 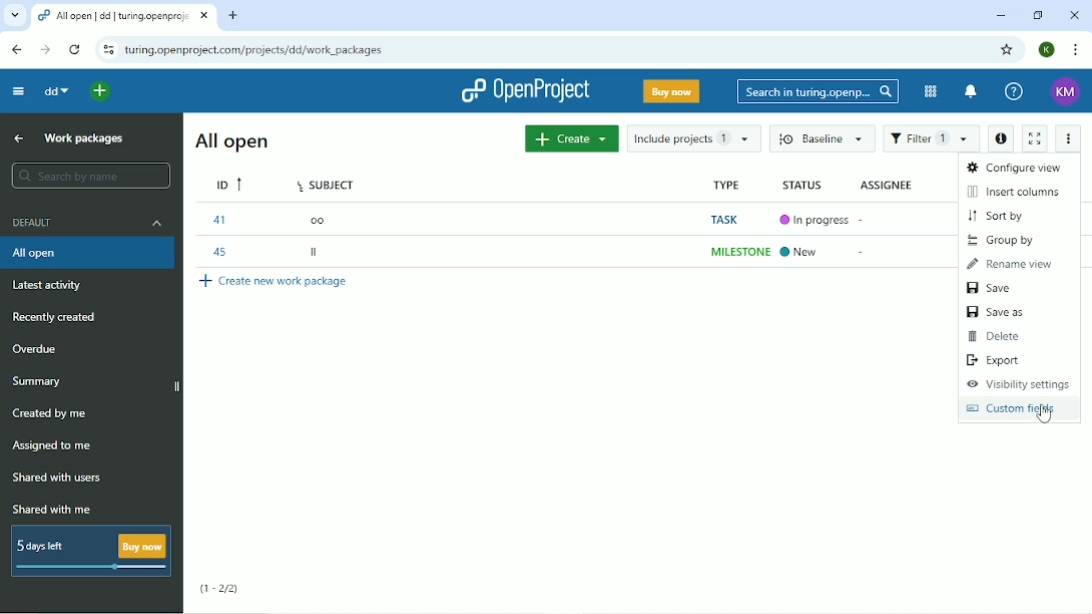 I want to click on Search in Turing.opening, so click(x=818, y=92).